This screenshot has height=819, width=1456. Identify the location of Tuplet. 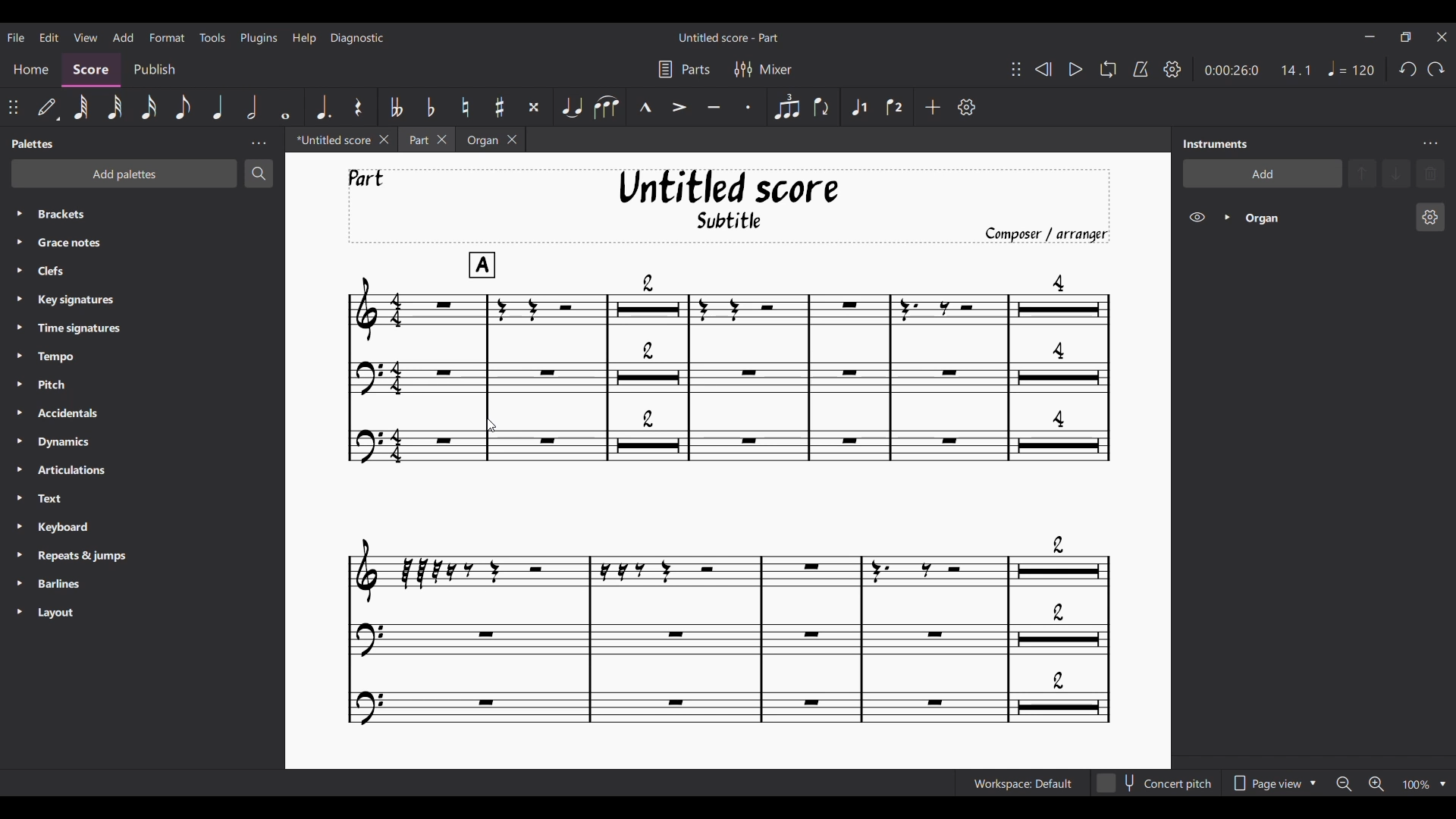
(786, 107).